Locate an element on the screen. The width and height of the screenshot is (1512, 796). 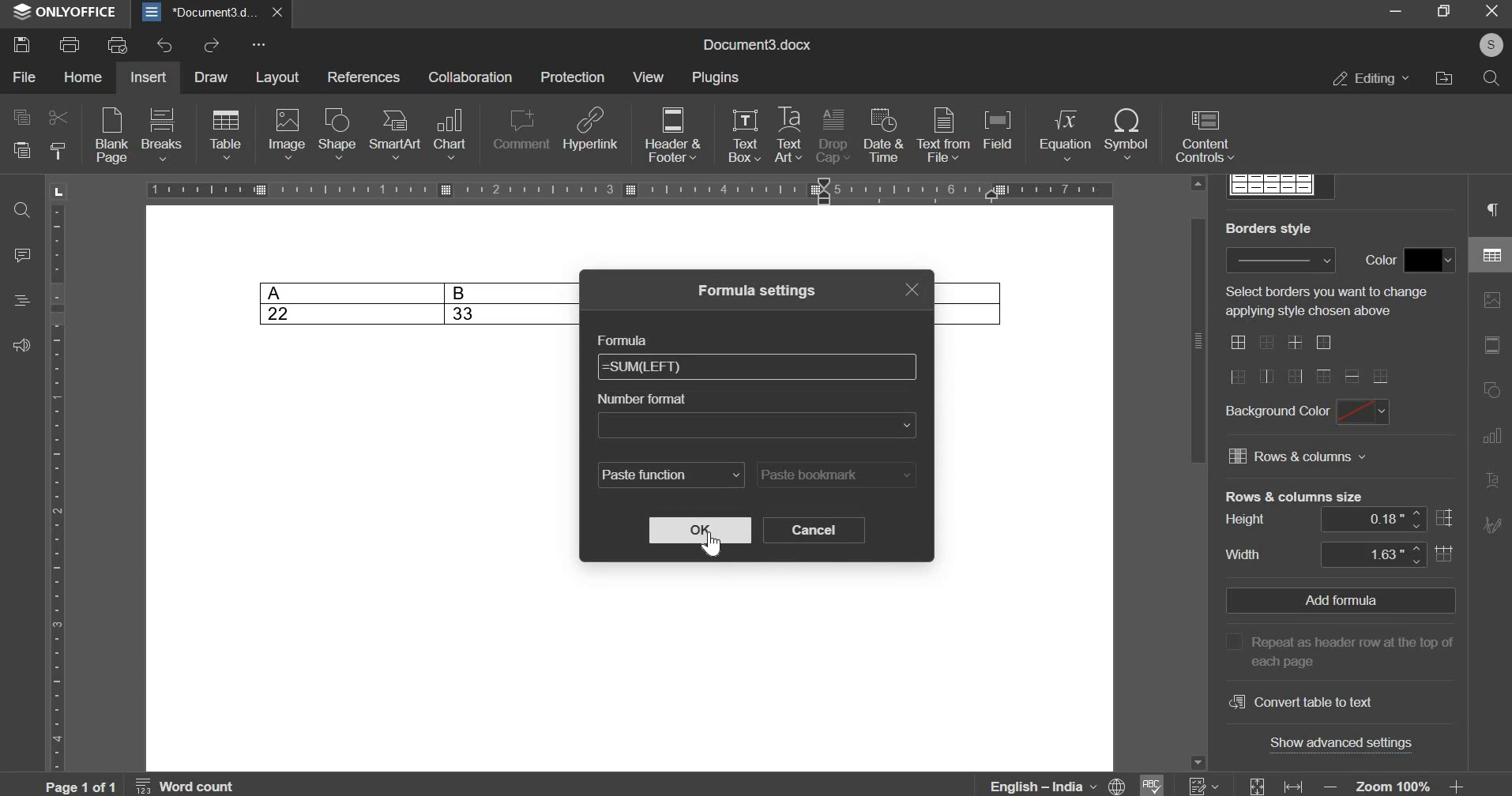
cursor is located at coordinates (711, 546).